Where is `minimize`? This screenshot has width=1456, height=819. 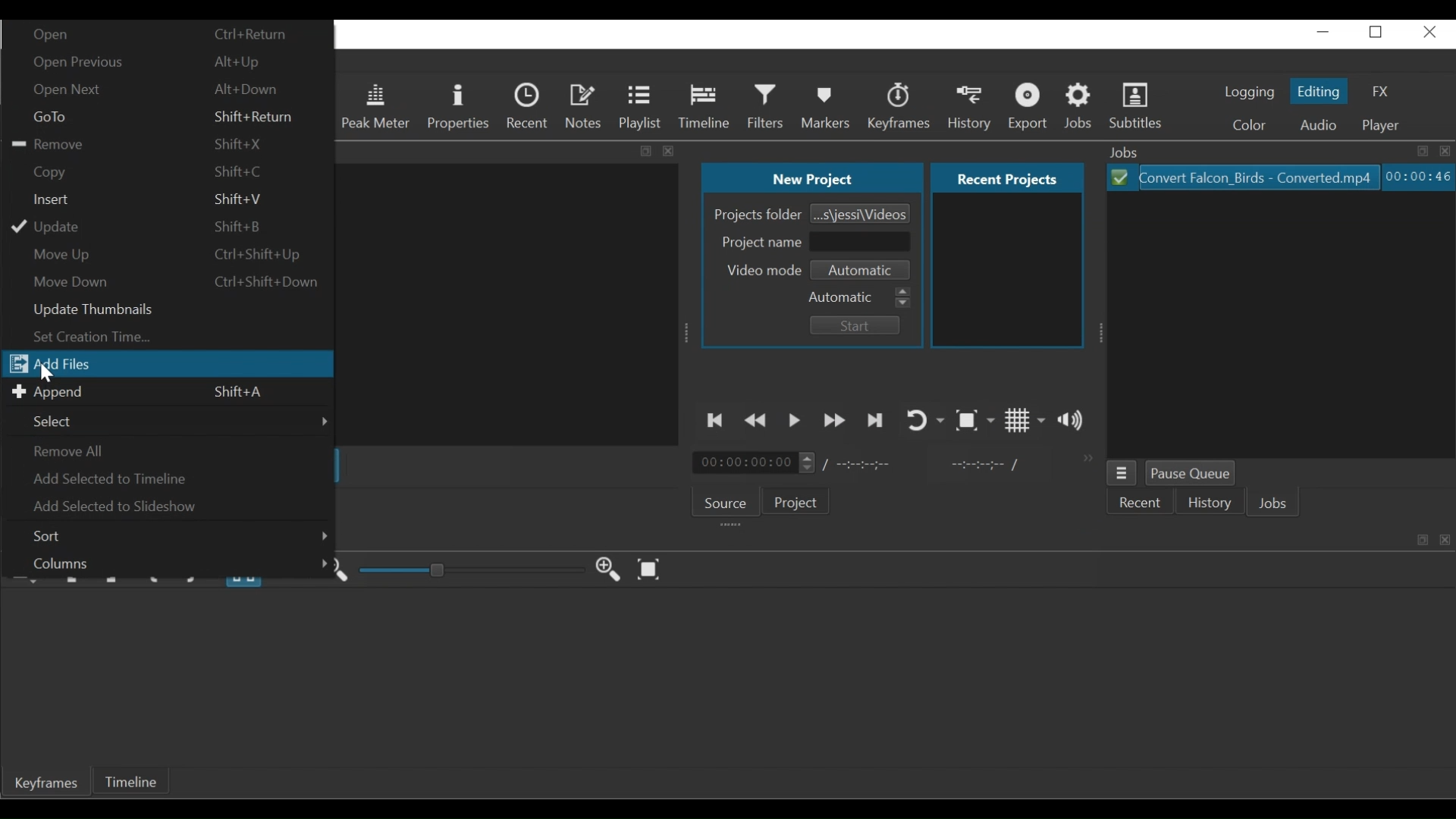 minimize is located at coordinates (1323, 32).